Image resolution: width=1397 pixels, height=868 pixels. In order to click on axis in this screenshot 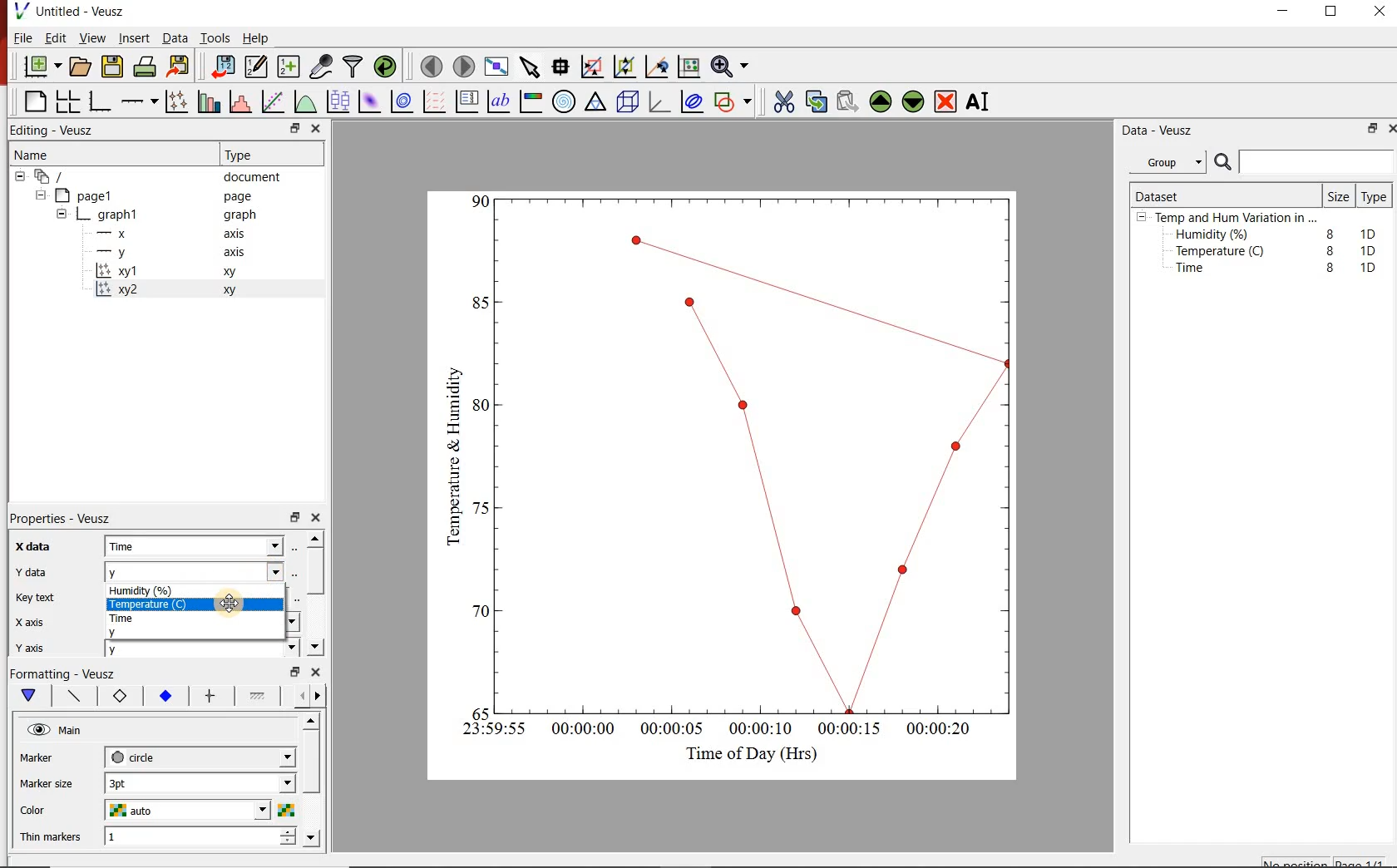, I will do `click(238, 254)`.